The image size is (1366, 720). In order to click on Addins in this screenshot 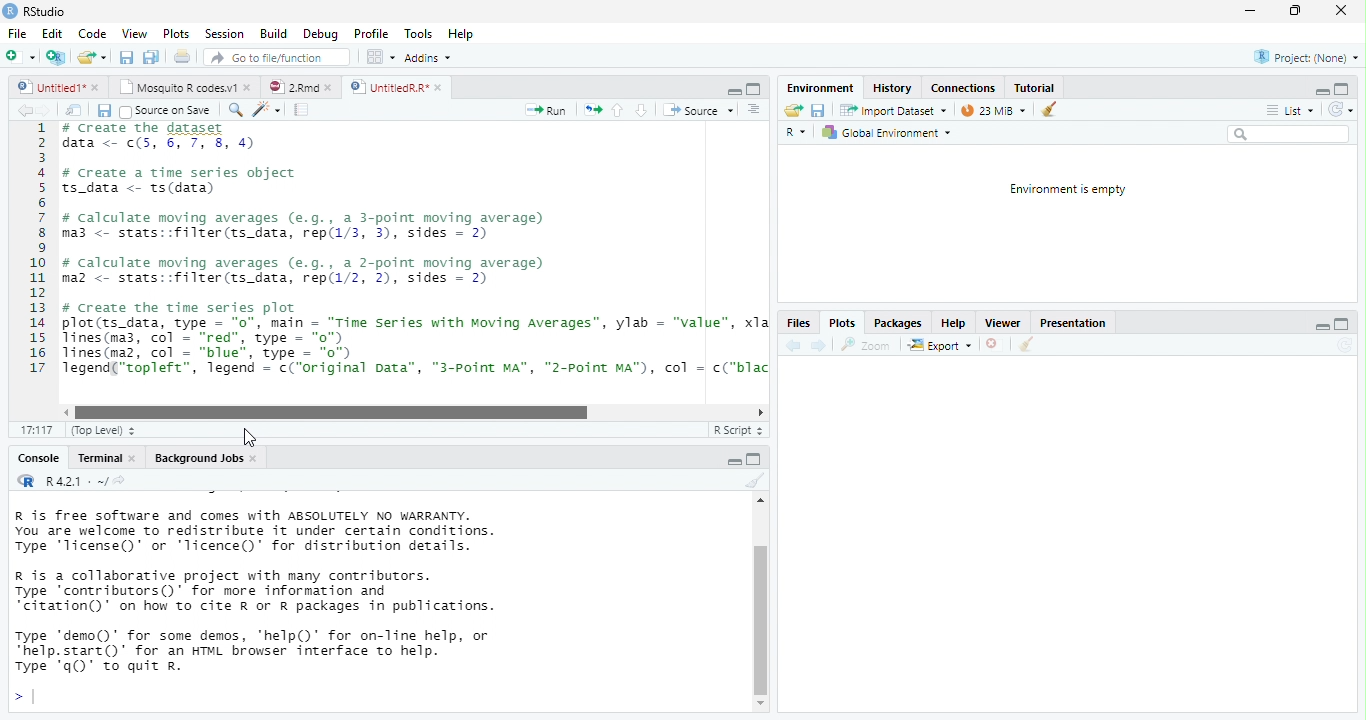, I will do `click(428, 58)`.